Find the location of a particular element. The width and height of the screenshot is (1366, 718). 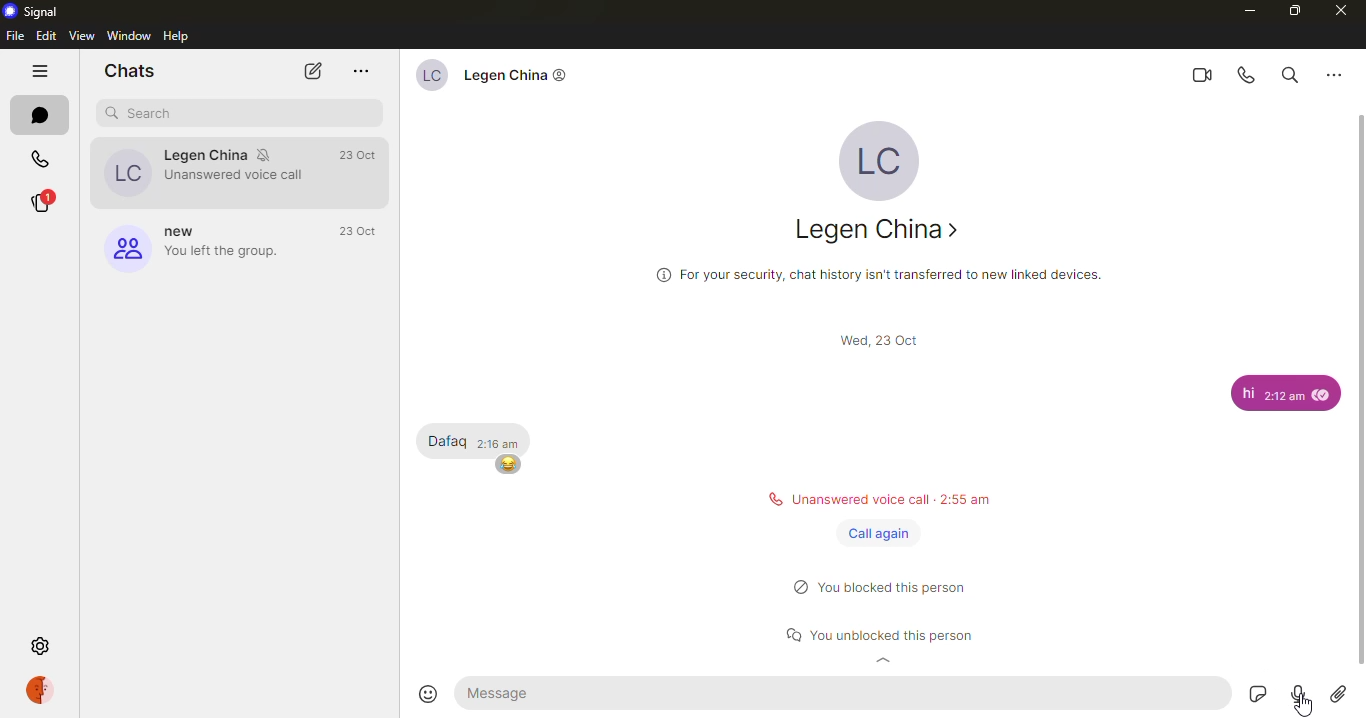

group logo is located at coordinates (125, 246).